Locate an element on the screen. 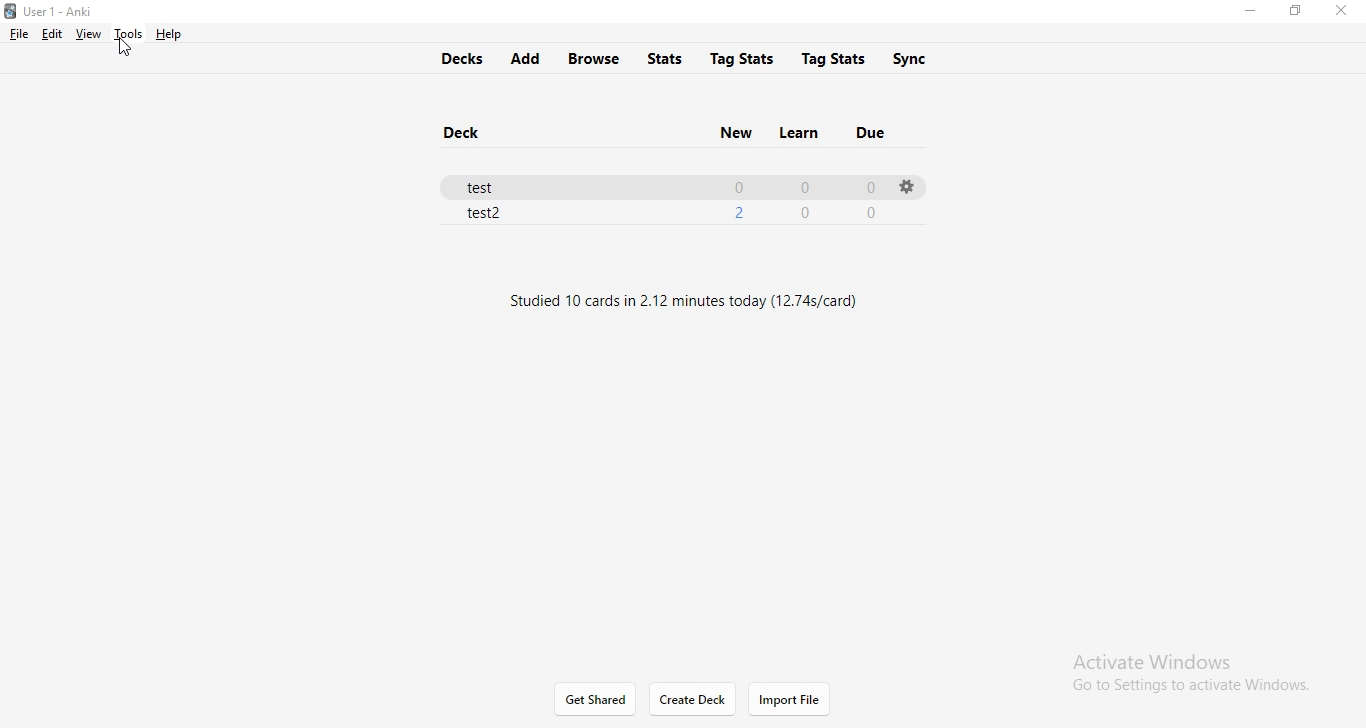 Image resolution: width=1366 pixels, height=728 pixels. view is located at coordinates (89, 35).